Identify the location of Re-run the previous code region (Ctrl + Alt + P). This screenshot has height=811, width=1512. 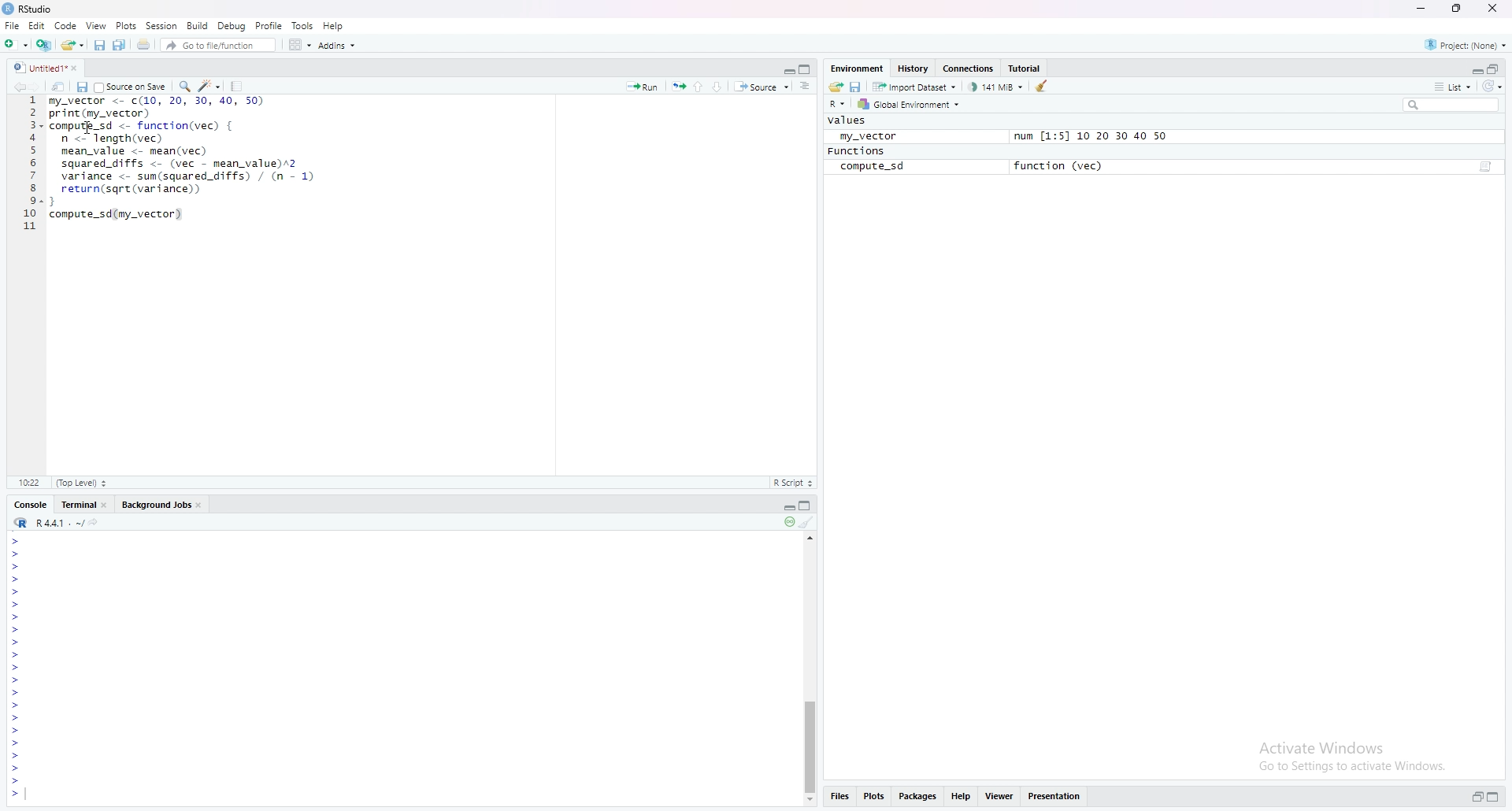
(677, 87).